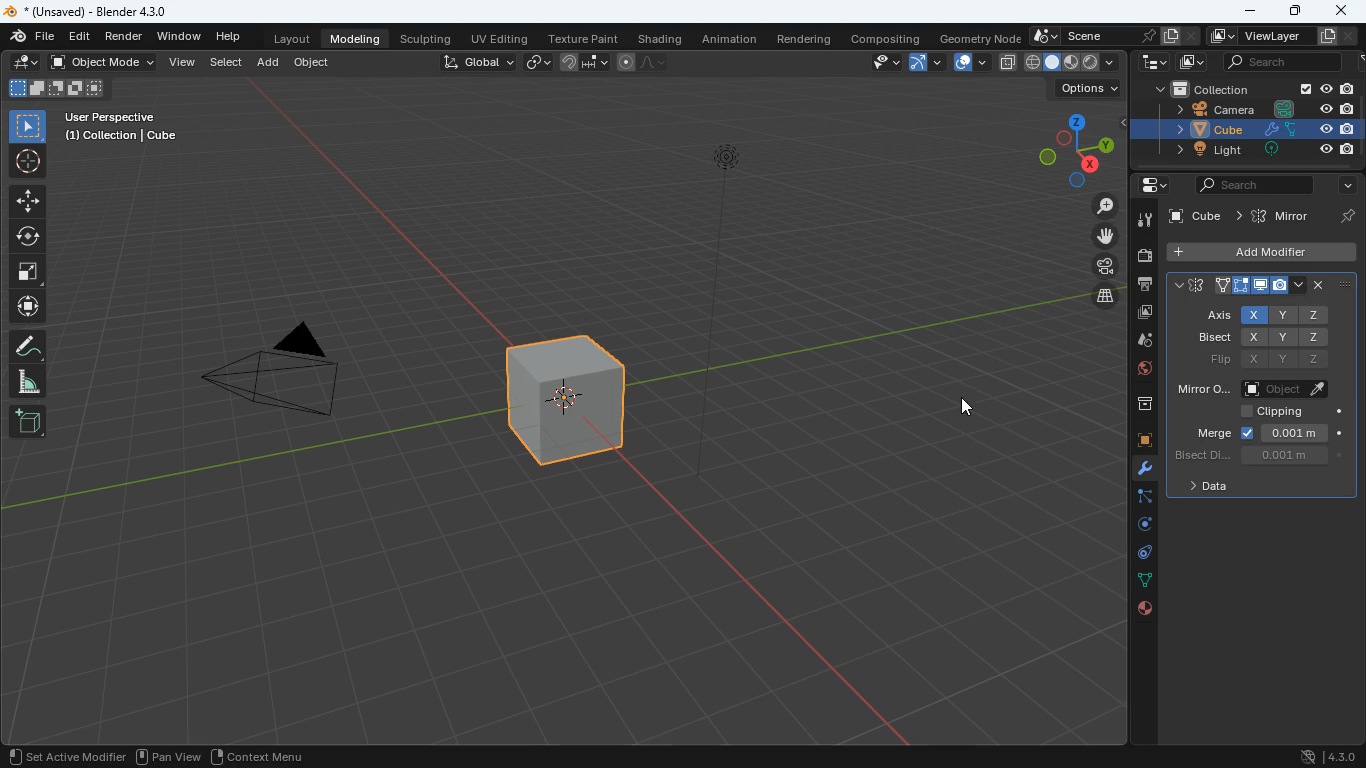 This screenshot has height=768, width=1366. Describe the element at coordinates (1255, 38) in the screenshot. I see `viewlayer` at that location.